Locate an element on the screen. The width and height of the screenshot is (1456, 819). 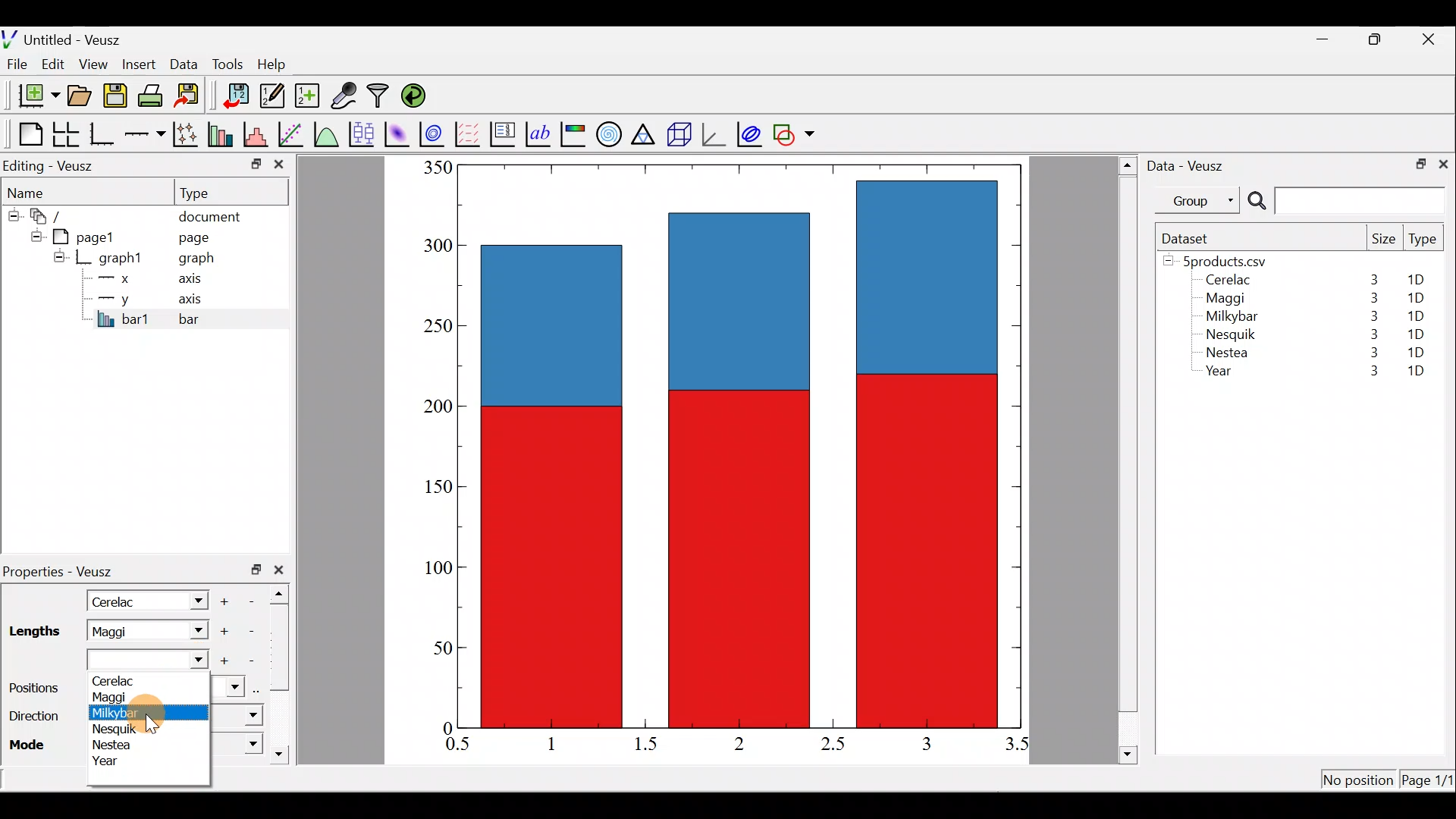
Maggi is located at coordinates (1227, 300).